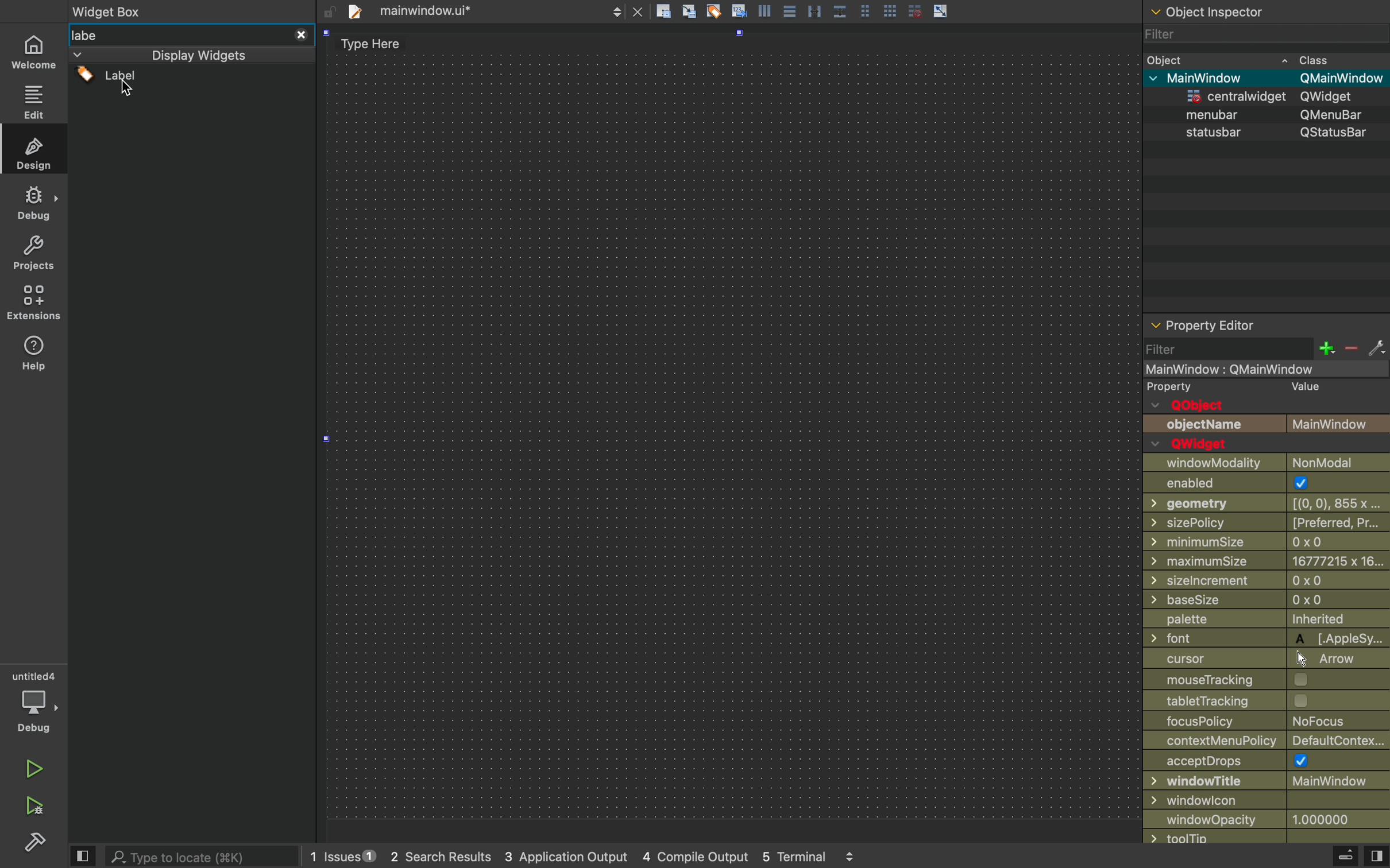 This screenshot has width=1390, height=868. What do you see at coordinates (186, 55) in the screenshot?
I see `layouts` at bounding box center [186, 55].